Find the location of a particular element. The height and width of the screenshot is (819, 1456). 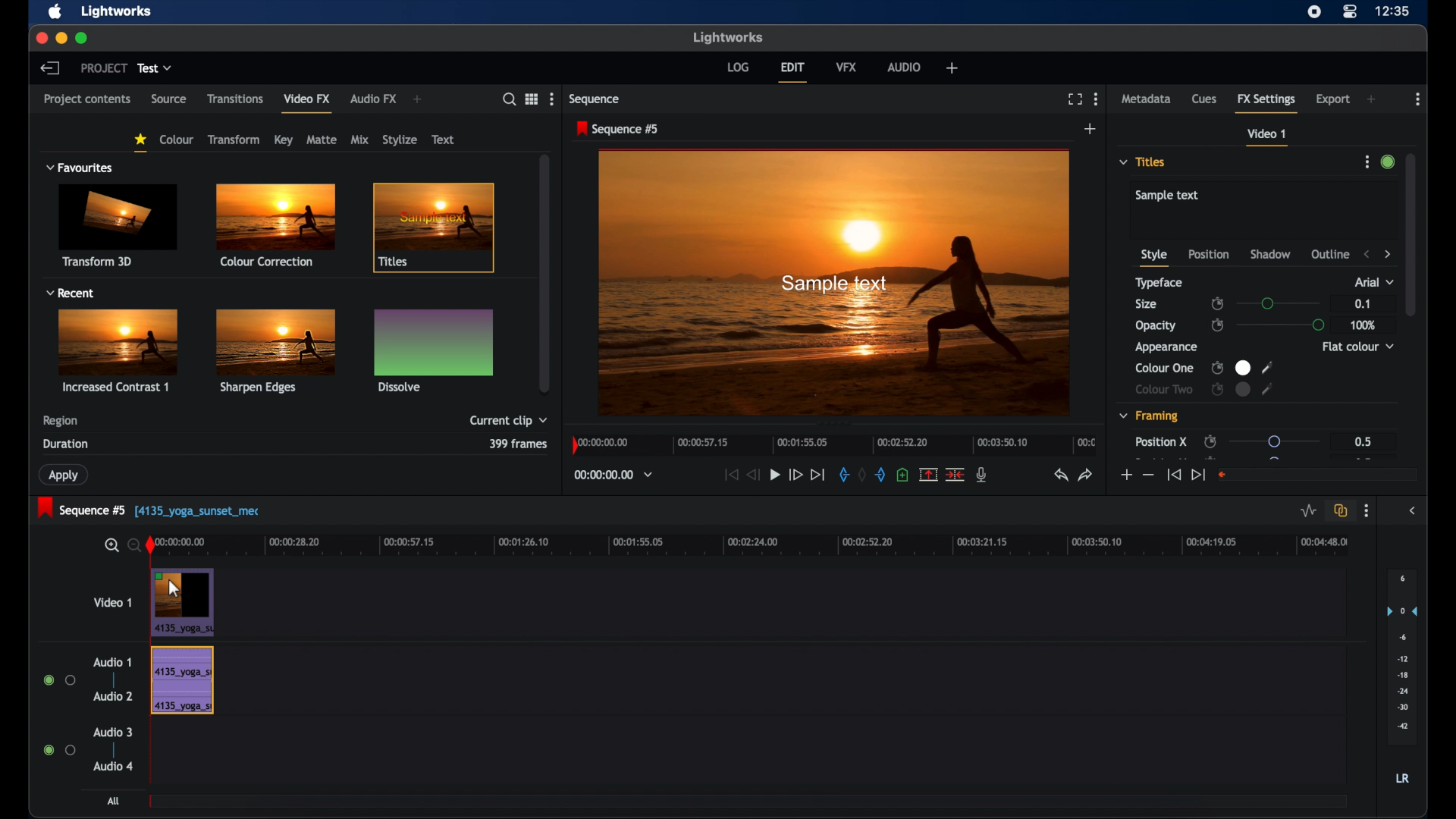

0.5 is located at coordinates (1360, 441).